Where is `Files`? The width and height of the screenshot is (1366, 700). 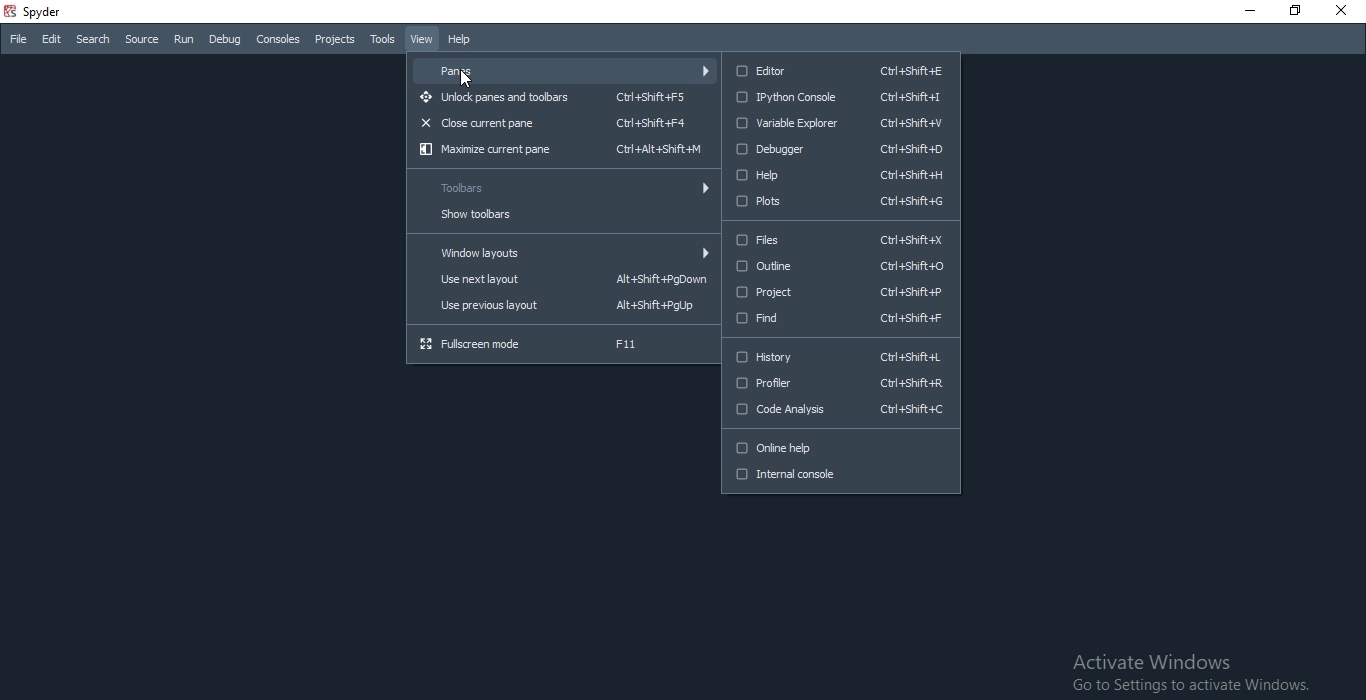
Files is located at coordinates (838, 240).